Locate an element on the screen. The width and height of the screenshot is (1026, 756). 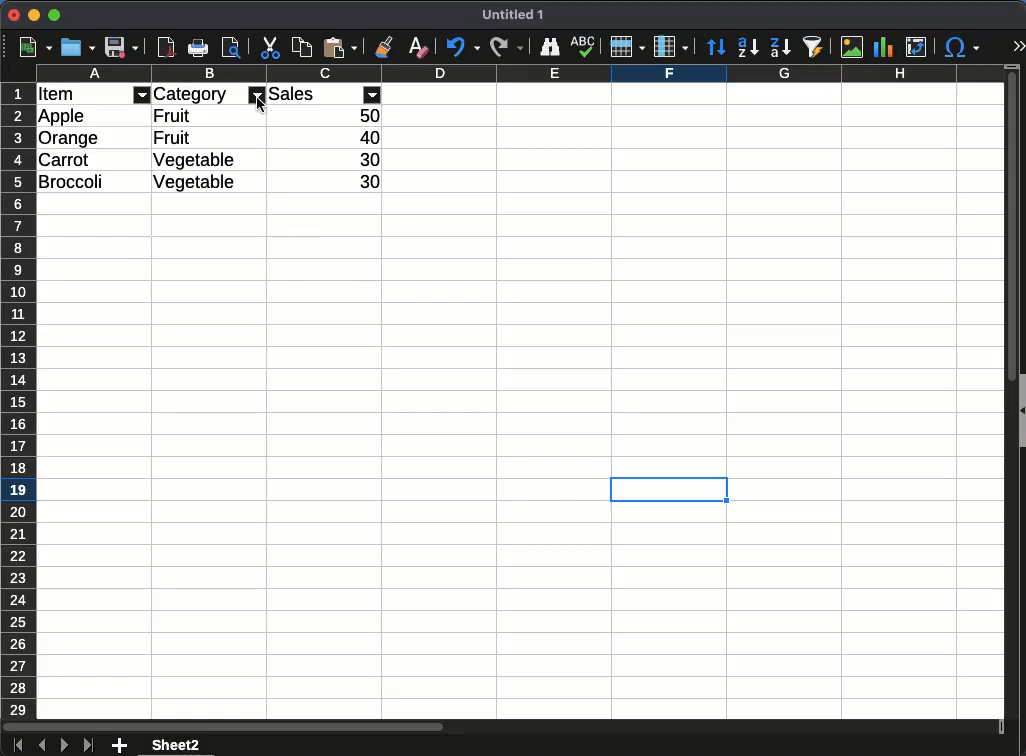
40 is located at coordinates (367, 136).